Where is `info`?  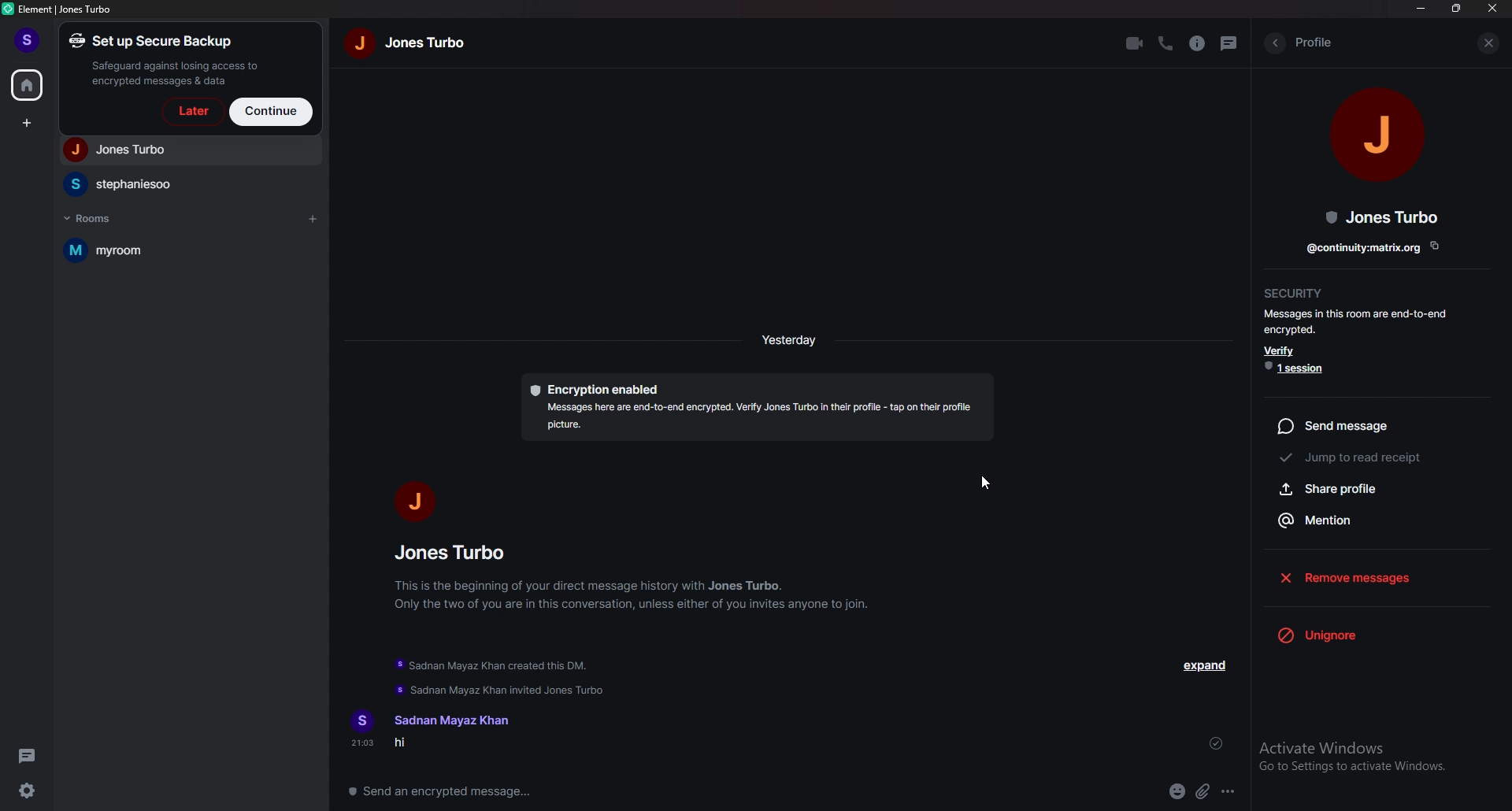 info is located at coordinates (1360, 321).